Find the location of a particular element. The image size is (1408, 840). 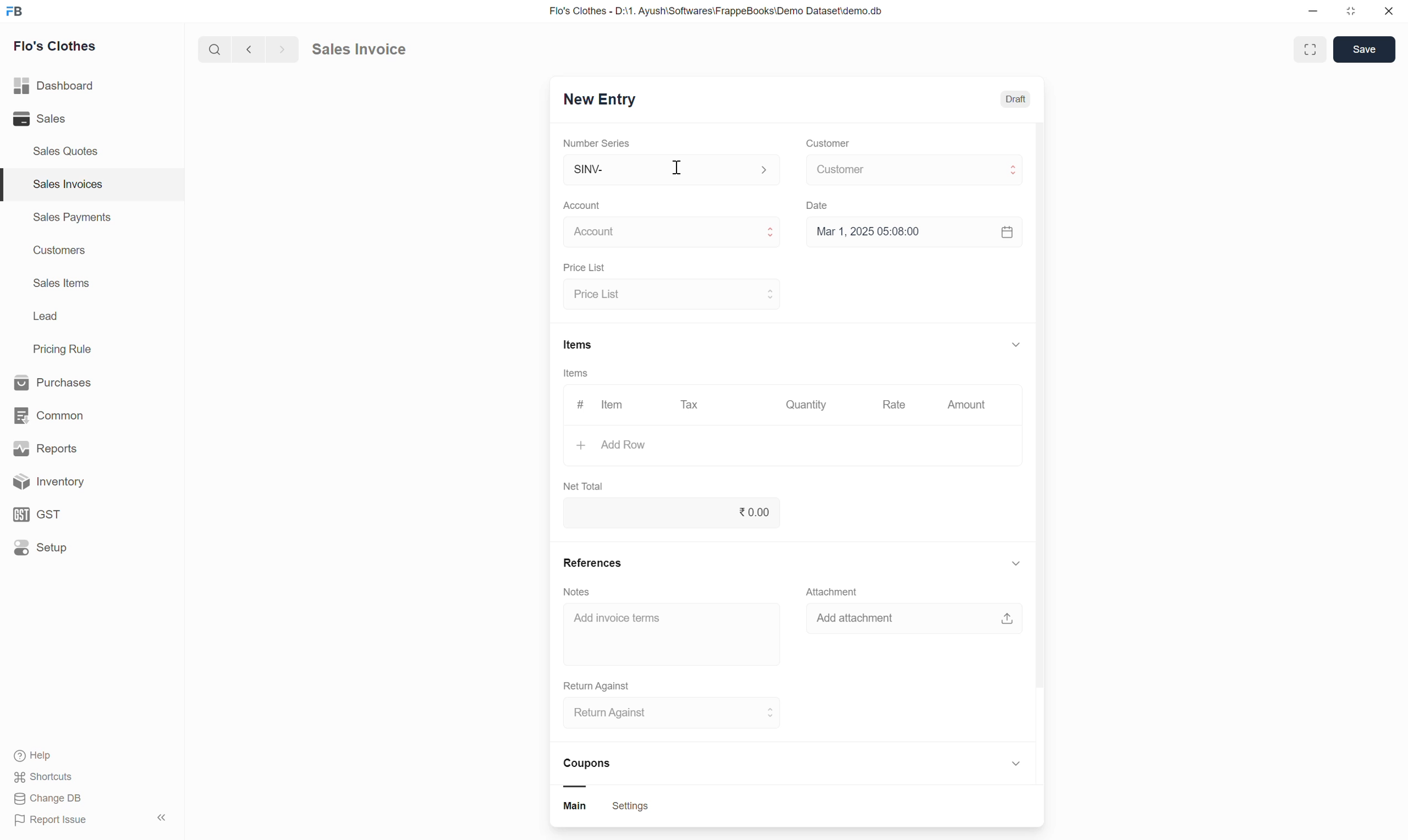

show or hide references  is located at coordinates (1016, 565).